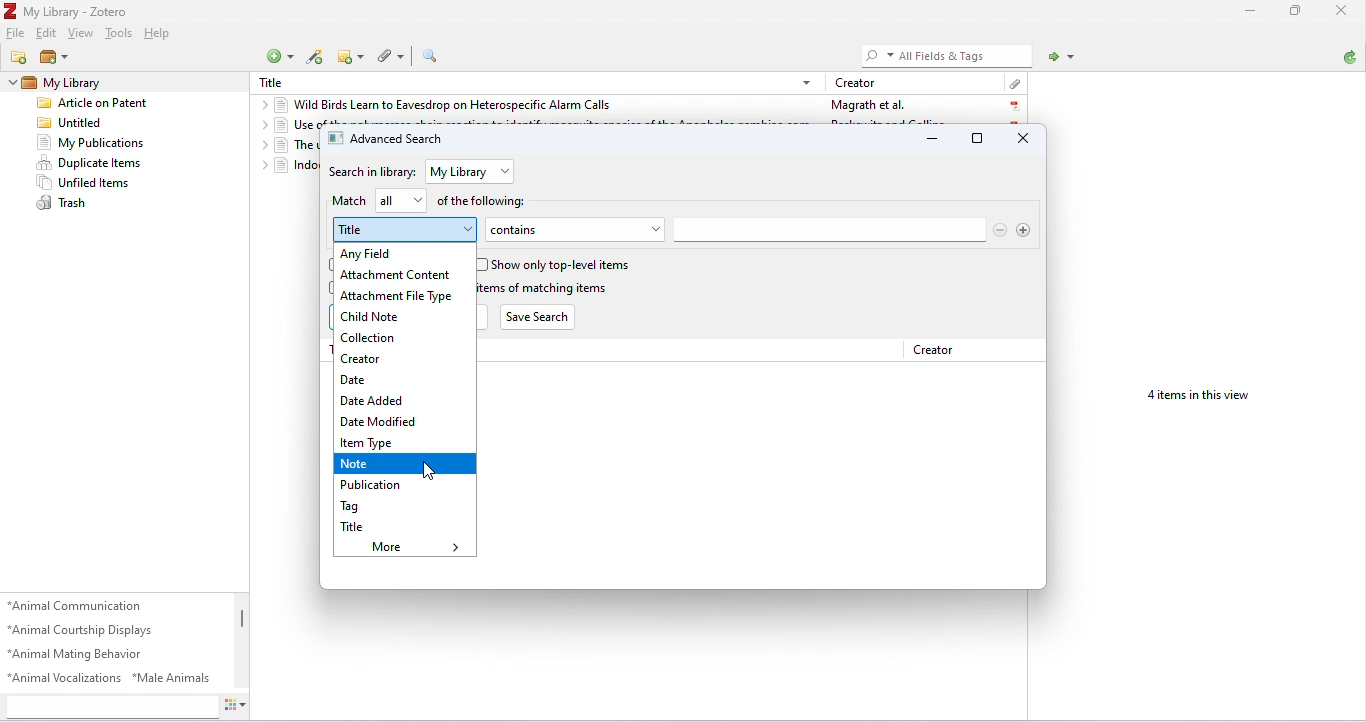 The width and height of the screenshot is (1366, 722). I want to click on duplicate items, so click(90, 162).